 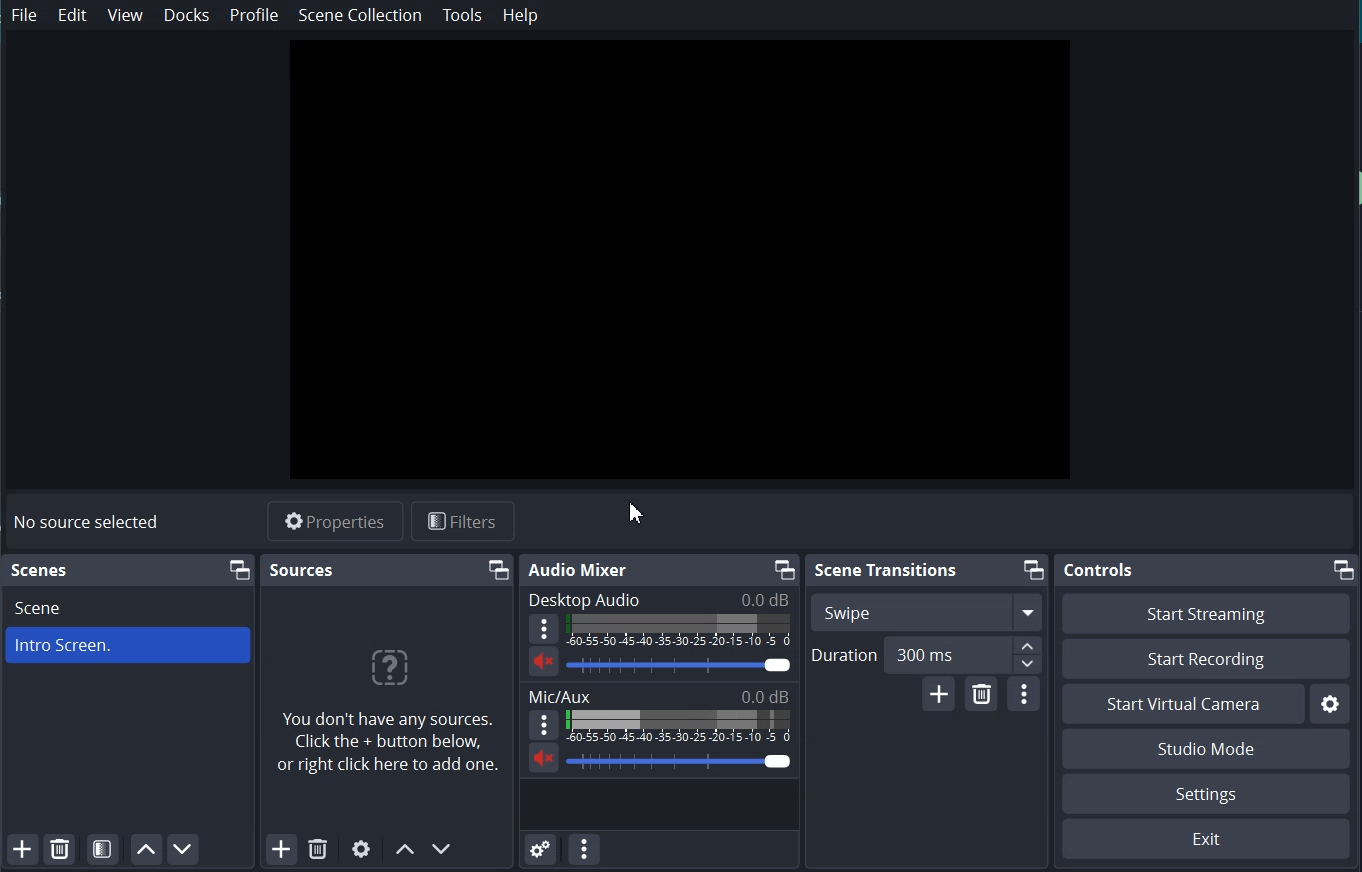 What do you see at coordinates (1345, 569) in the screenshot?
I see `Maximize` at bounding box center [1345, 569].